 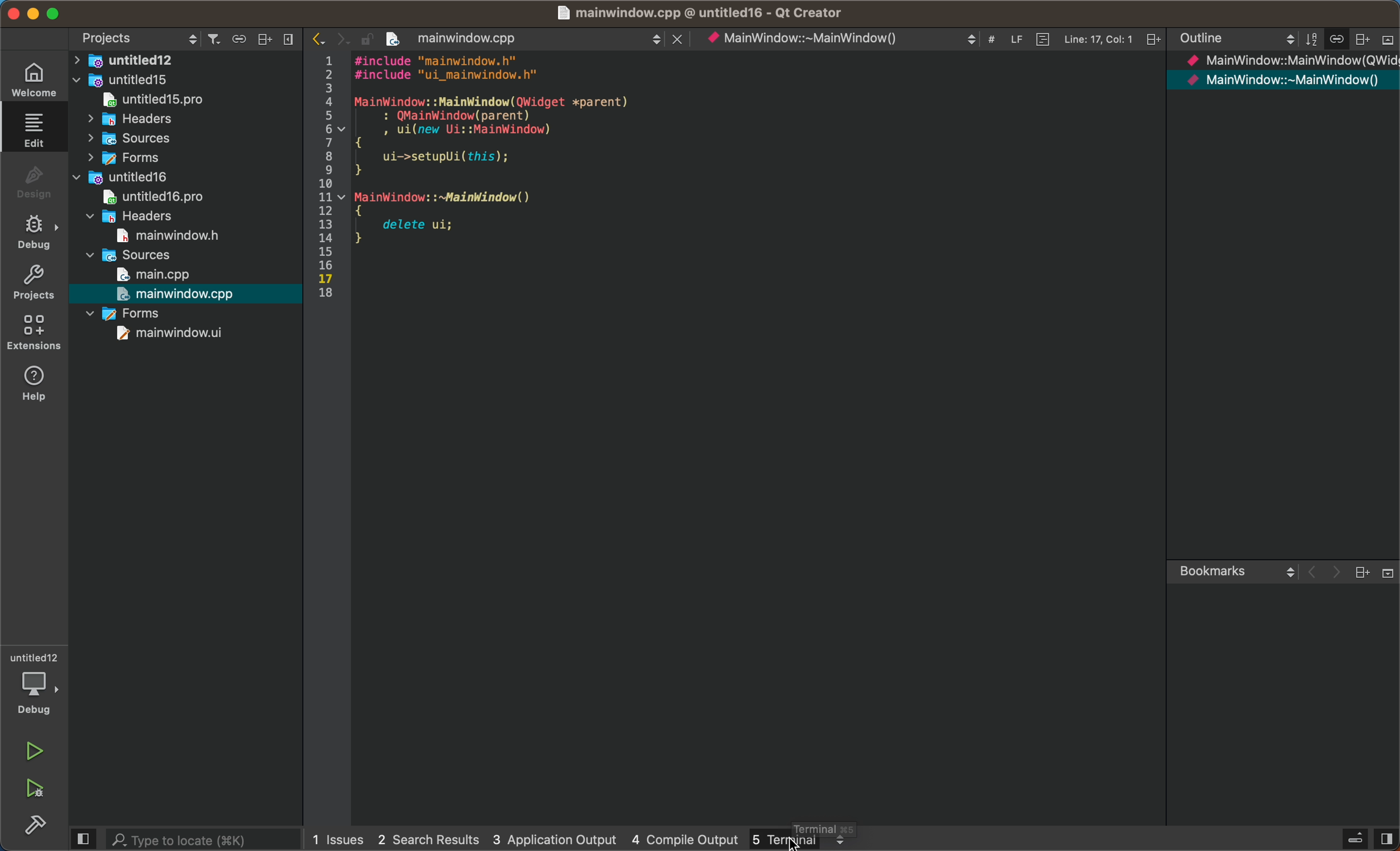 I want to click on cursor, so click(x=797, y=842).